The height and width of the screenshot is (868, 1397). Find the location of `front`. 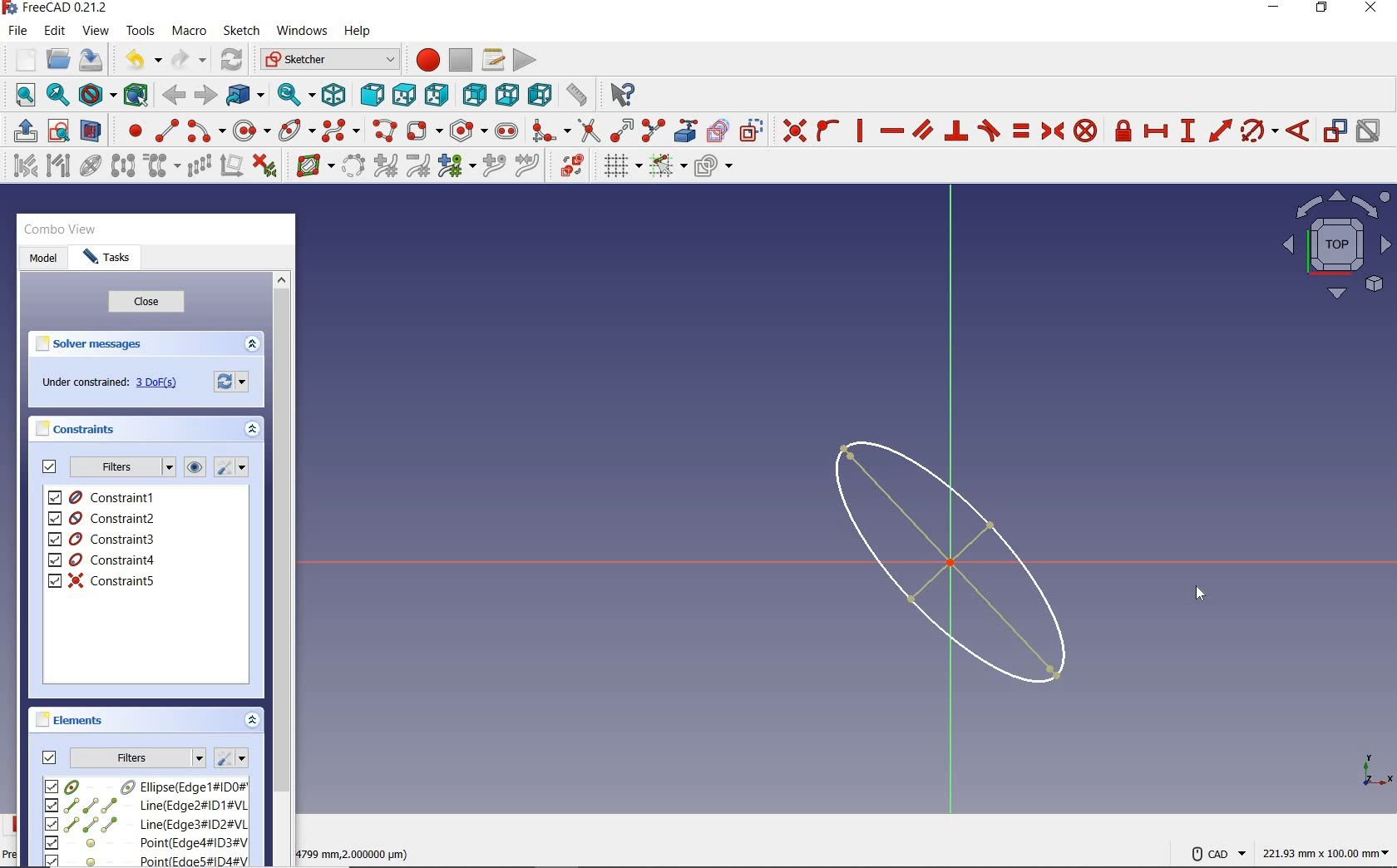

front is located at coordinates (368, 95).